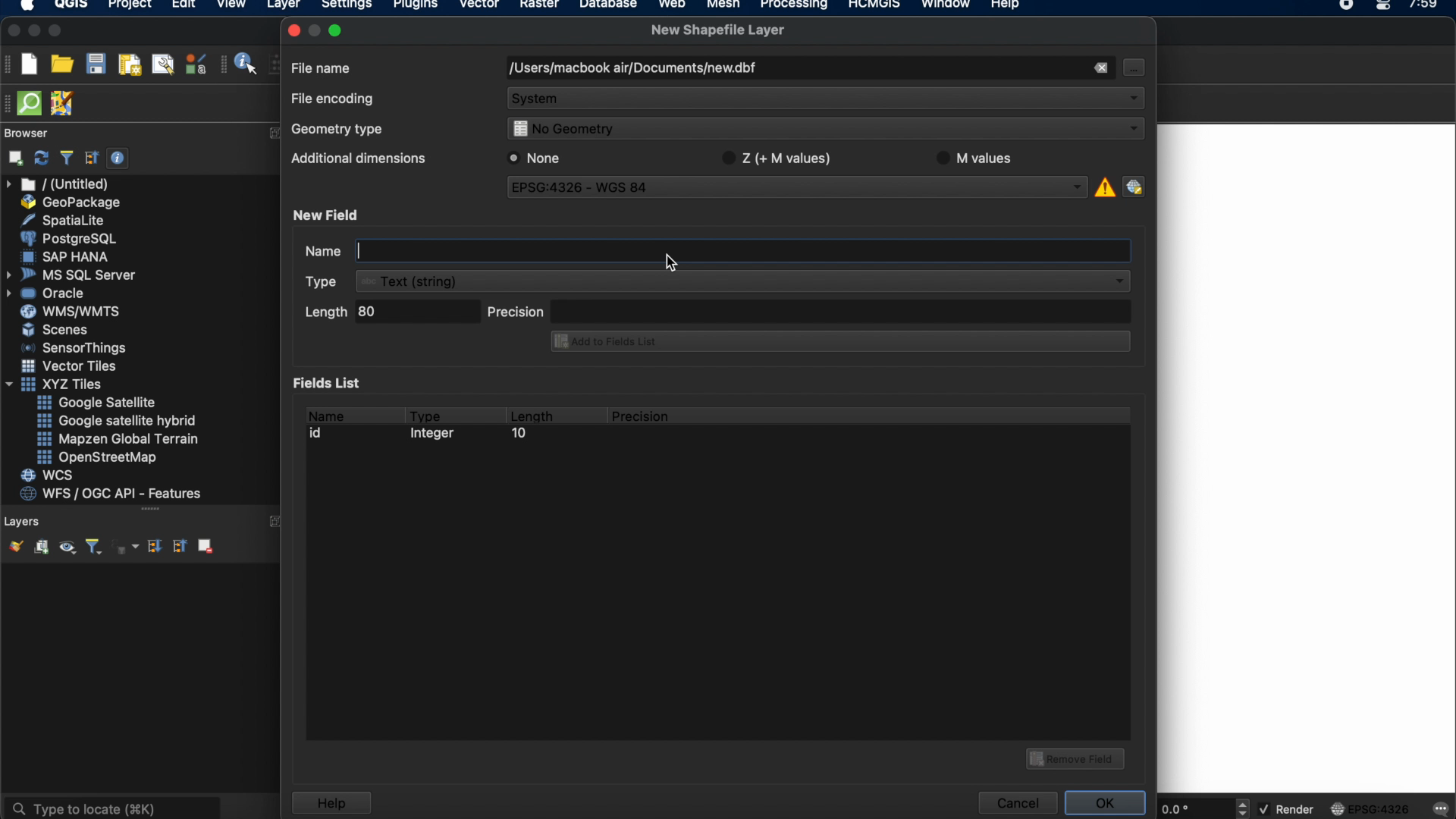  Describe the element at coordinates (1439, 810) in the screenshot. I see `messages` at that location.